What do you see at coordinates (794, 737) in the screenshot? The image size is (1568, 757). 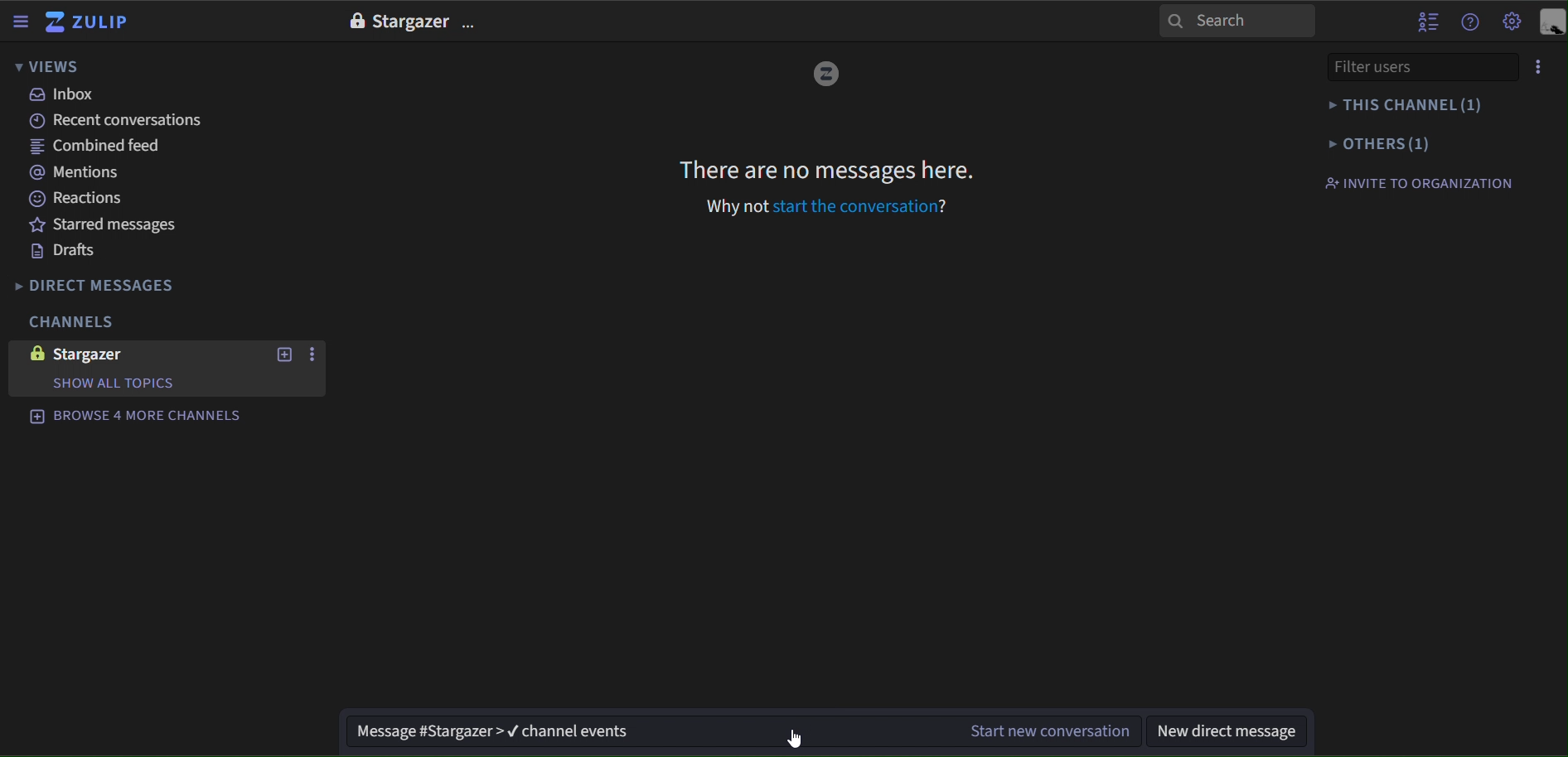 I see `cursor` at bounding box center [794, 737].